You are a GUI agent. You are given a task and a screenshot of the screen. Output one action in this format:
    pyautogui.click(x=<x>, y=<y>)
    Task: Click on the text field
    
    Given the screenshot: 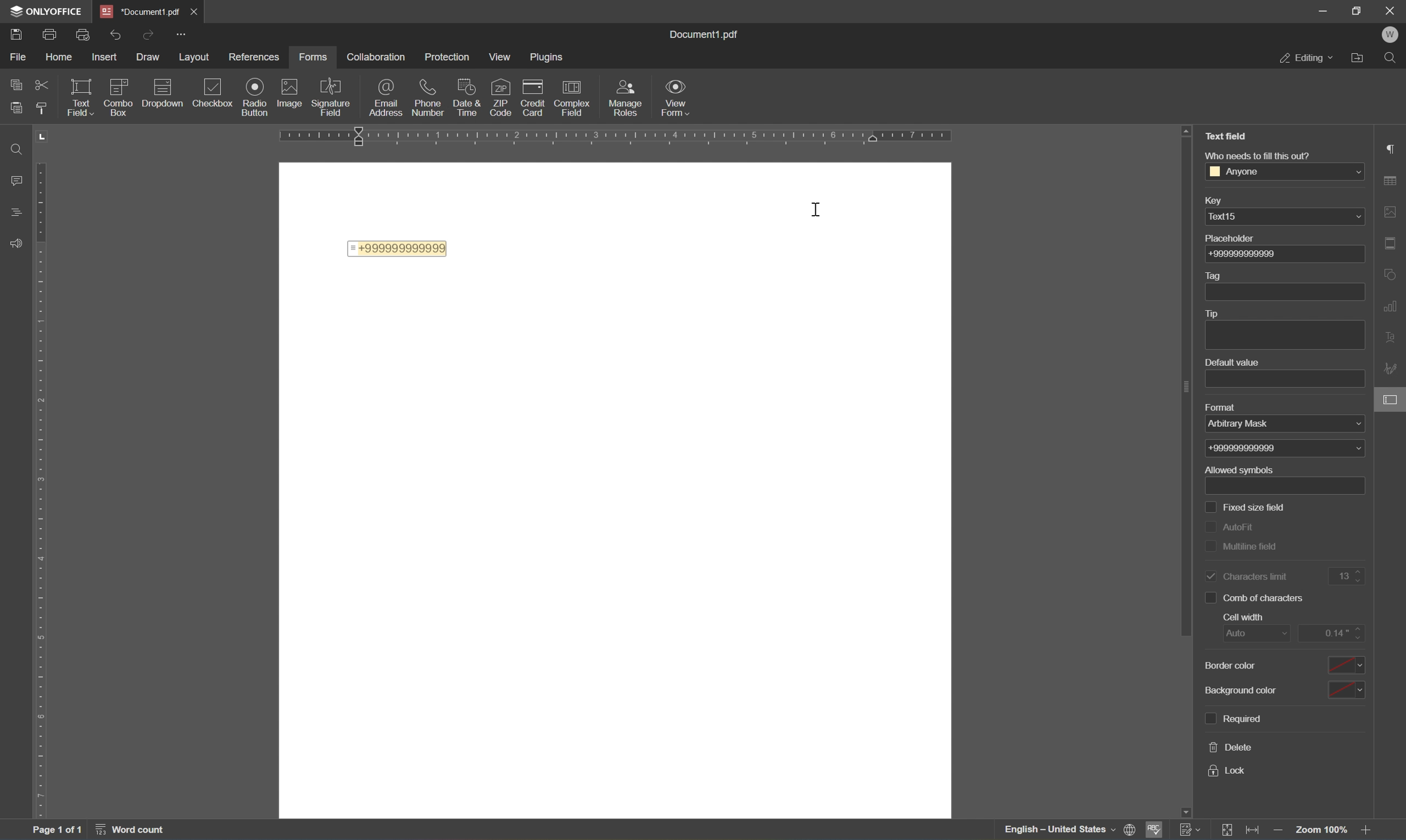 What is the action you would take?
    pyautogui.click(x=82, y=100)
    